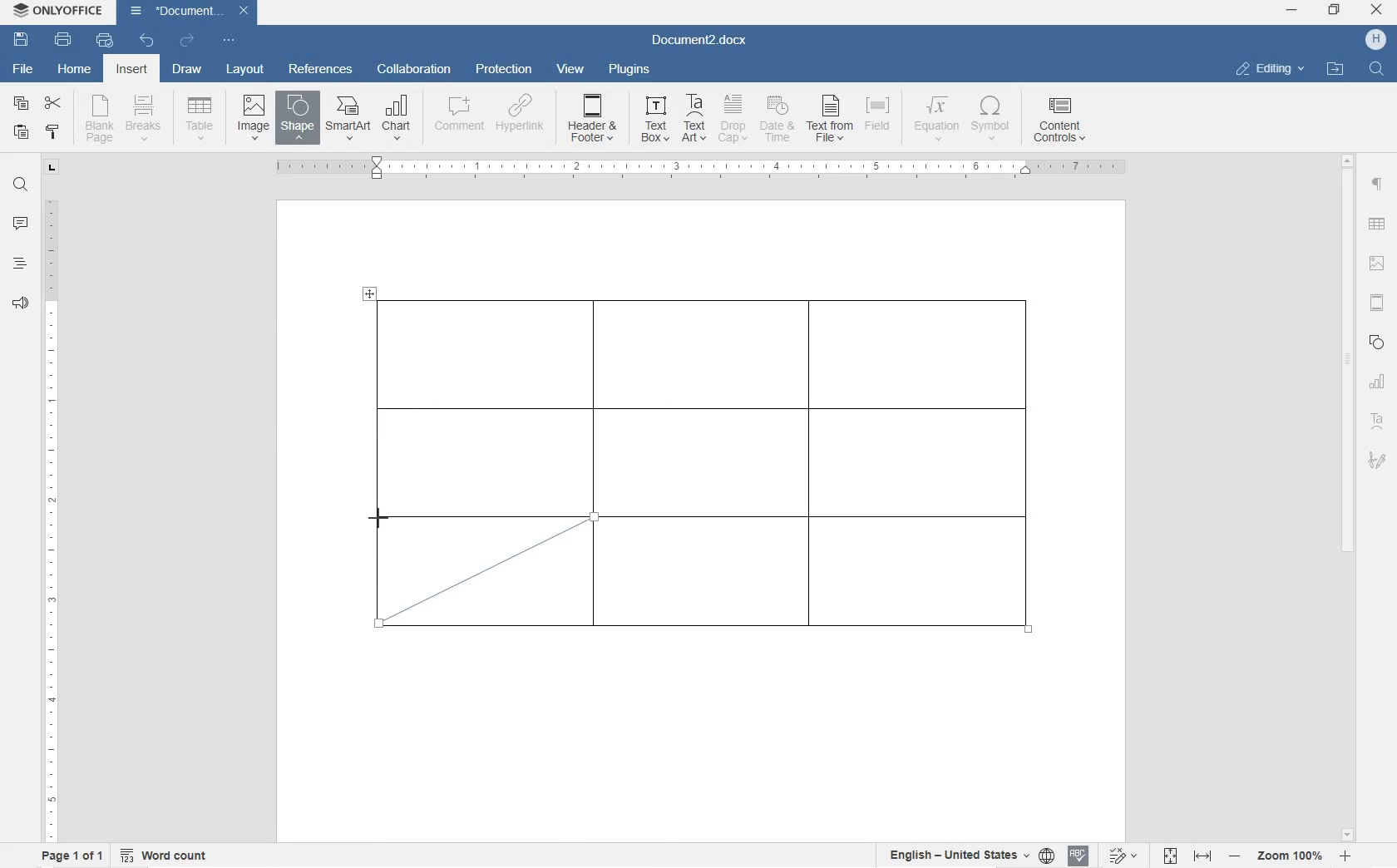  I want to click on image settings, so click(1376, 264).